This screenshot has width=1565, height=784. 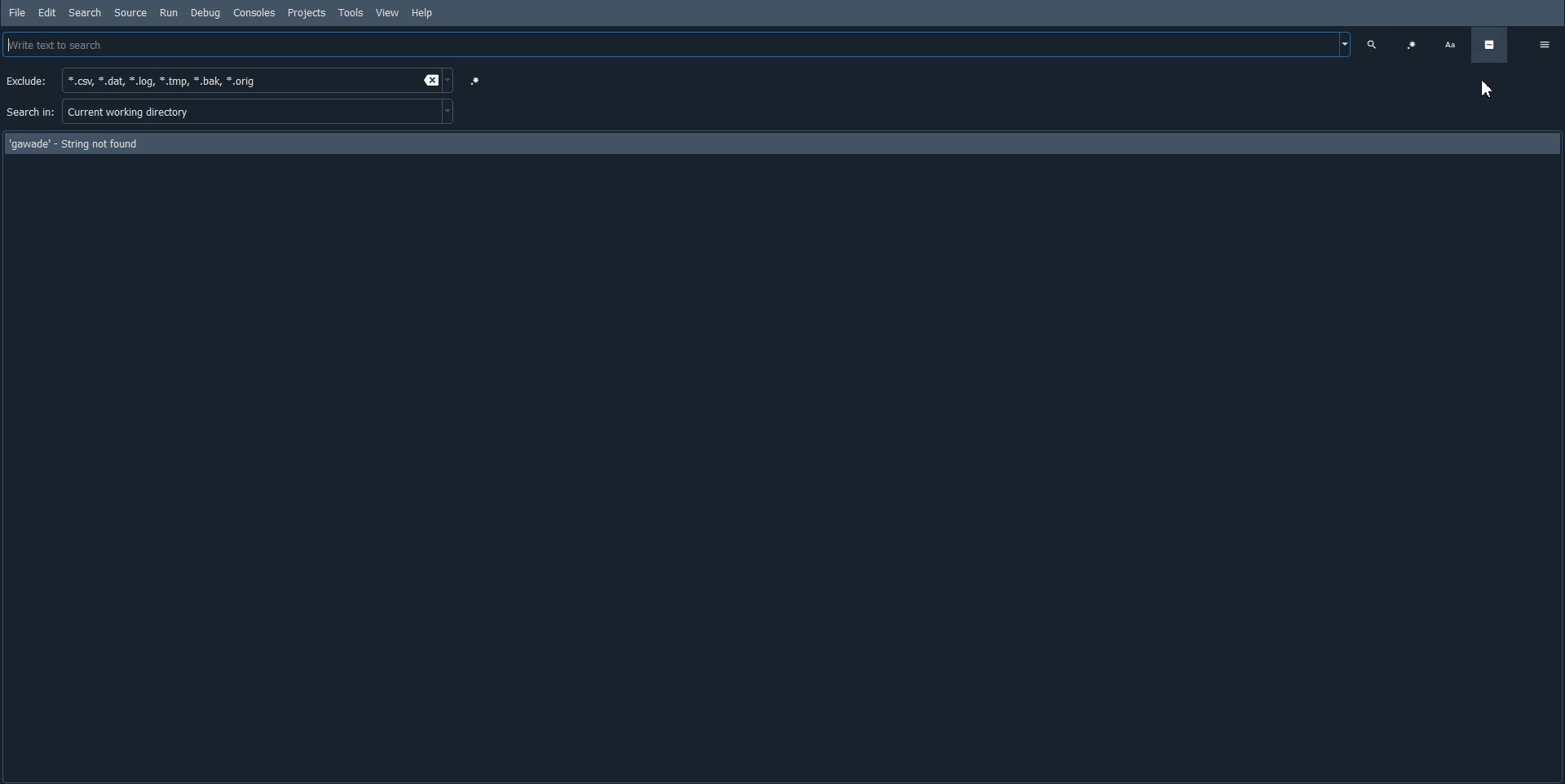 What do you see at coordinates (1374, 44) in the screenshot?
I see `Search Text` at bounding box center [1374, 44].